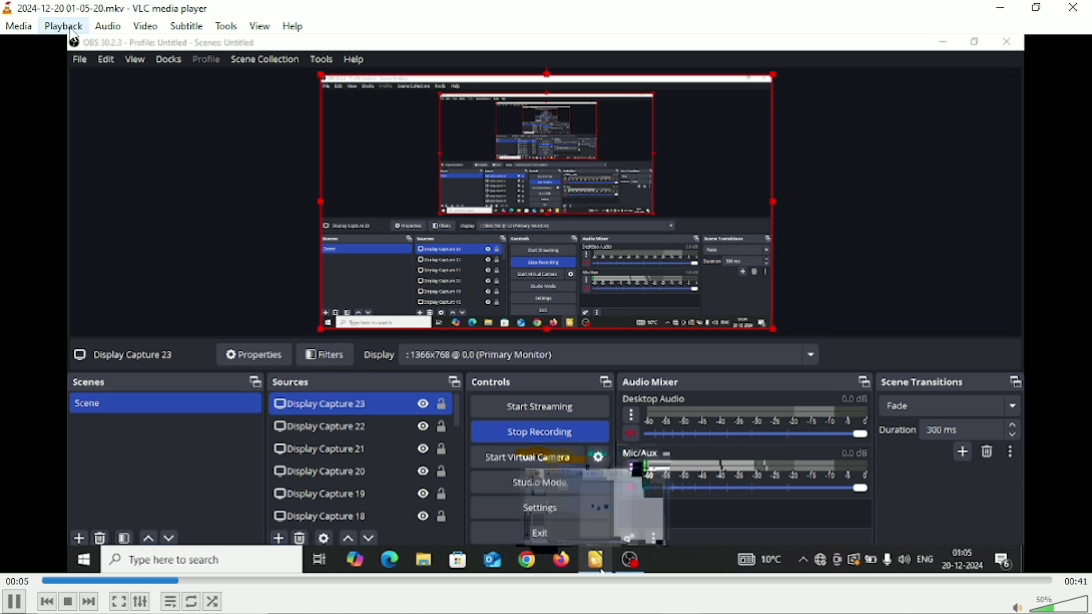 Image resolution: width=1092 pixels, height=614 pixels. I want to click on Restore down, so click(1036, 9).